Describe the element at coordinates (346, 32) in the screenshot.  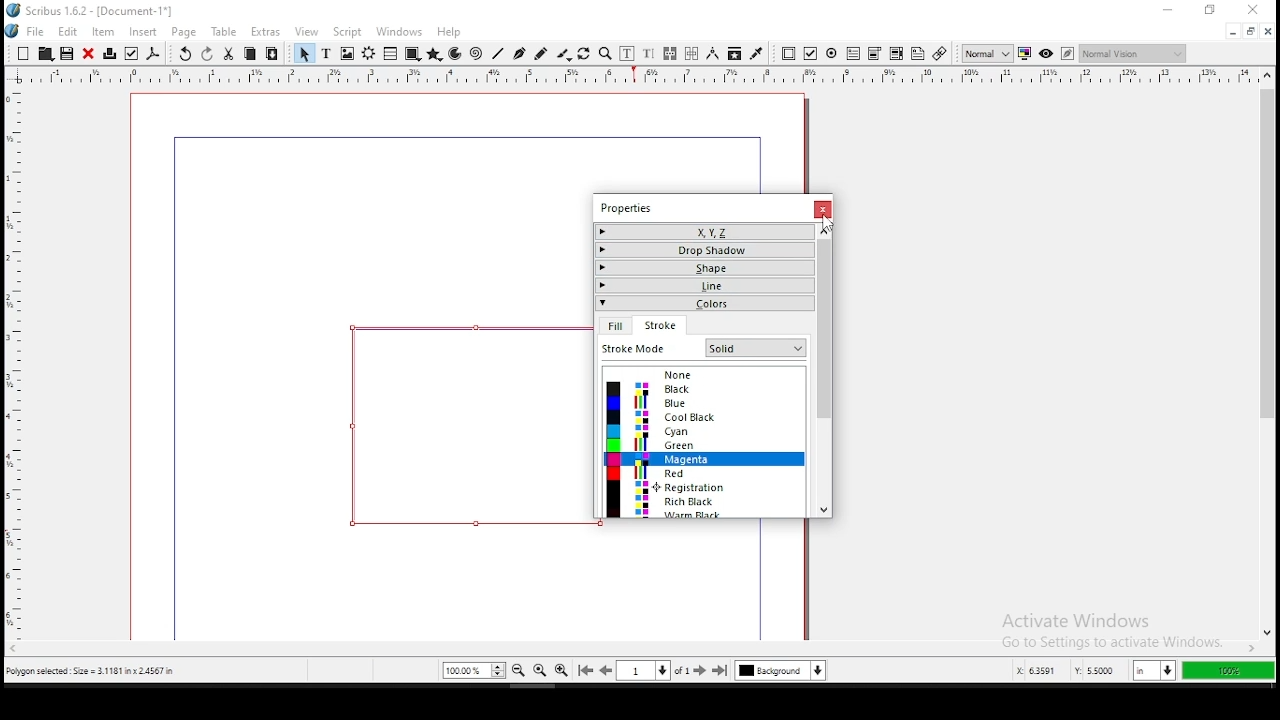
I see `script` at that location.